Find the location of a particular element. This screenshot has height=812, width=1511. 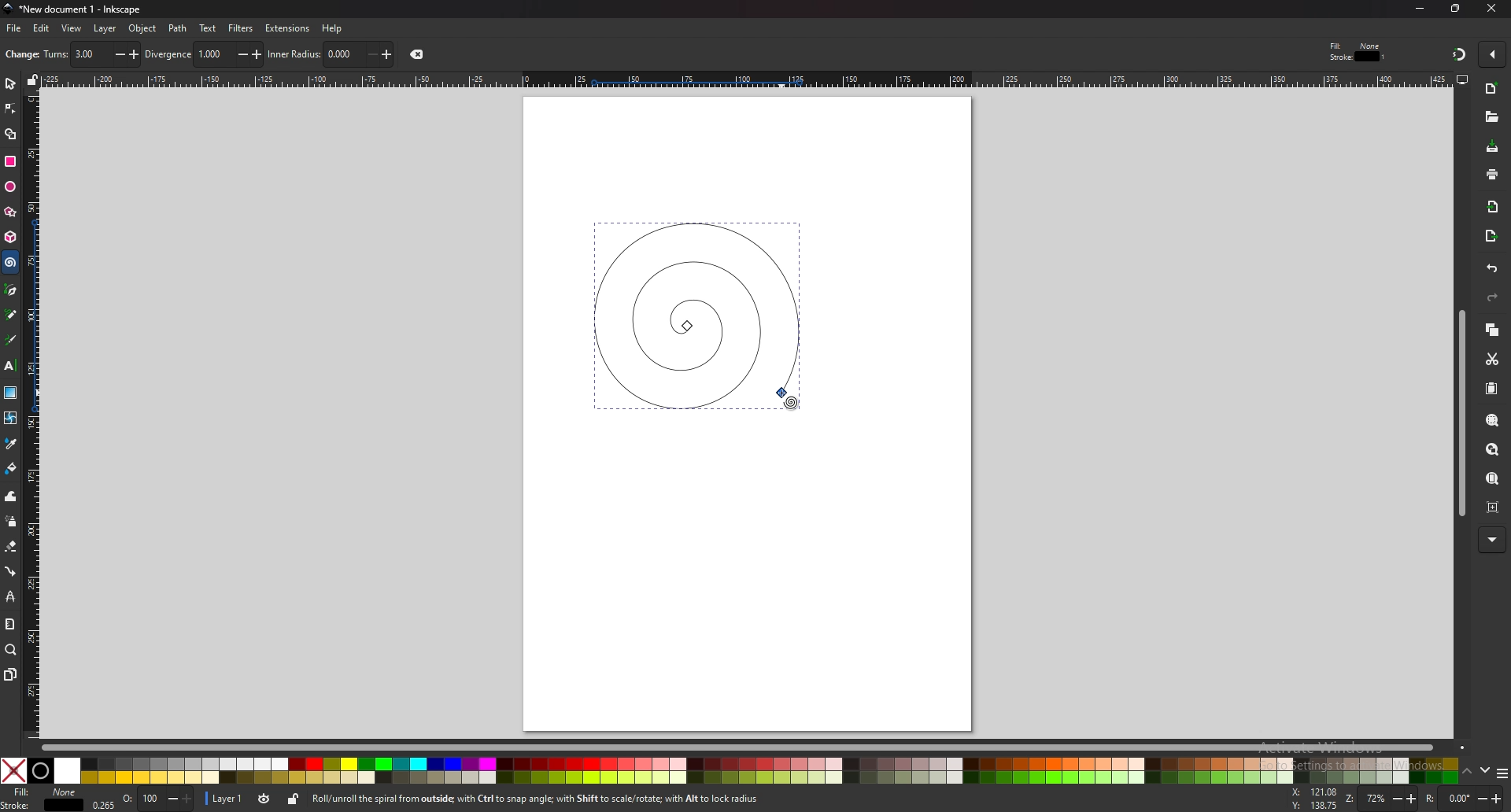

layer is located at coordinates (105, 28).